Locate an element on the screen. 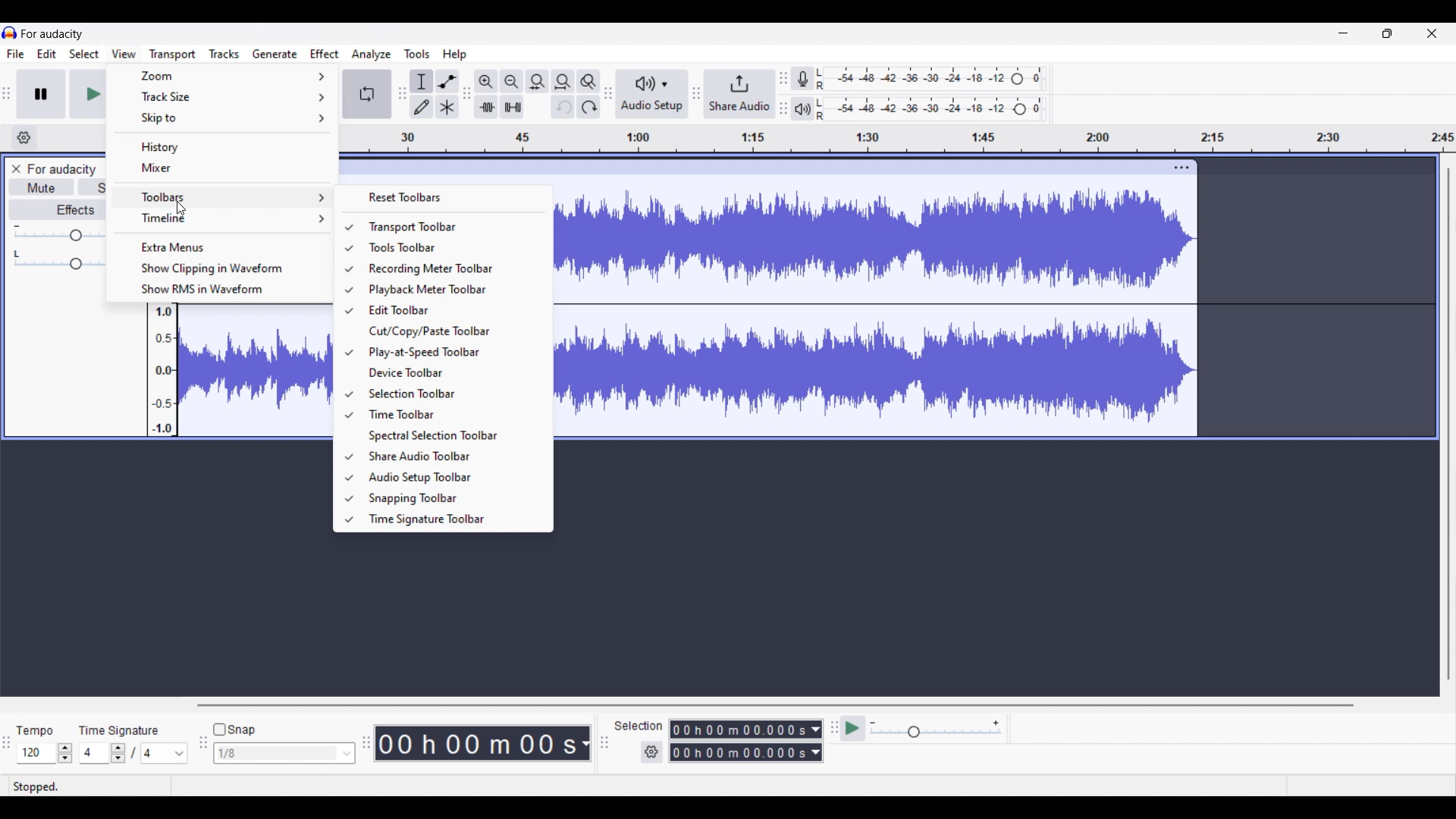  Skip to options is located at coordinates (223, 118).